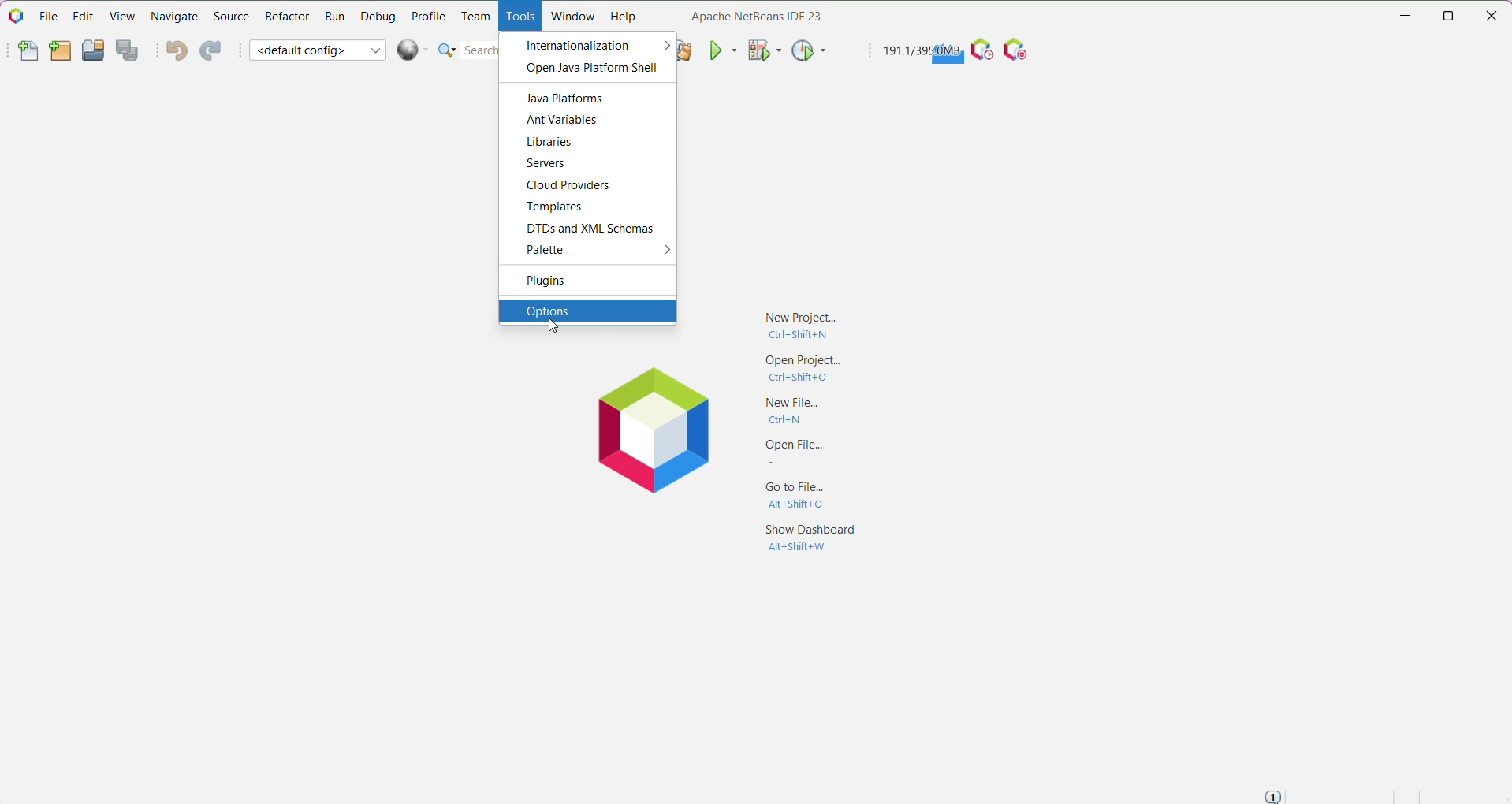  I want to click on Refactor, so click(286, 19).